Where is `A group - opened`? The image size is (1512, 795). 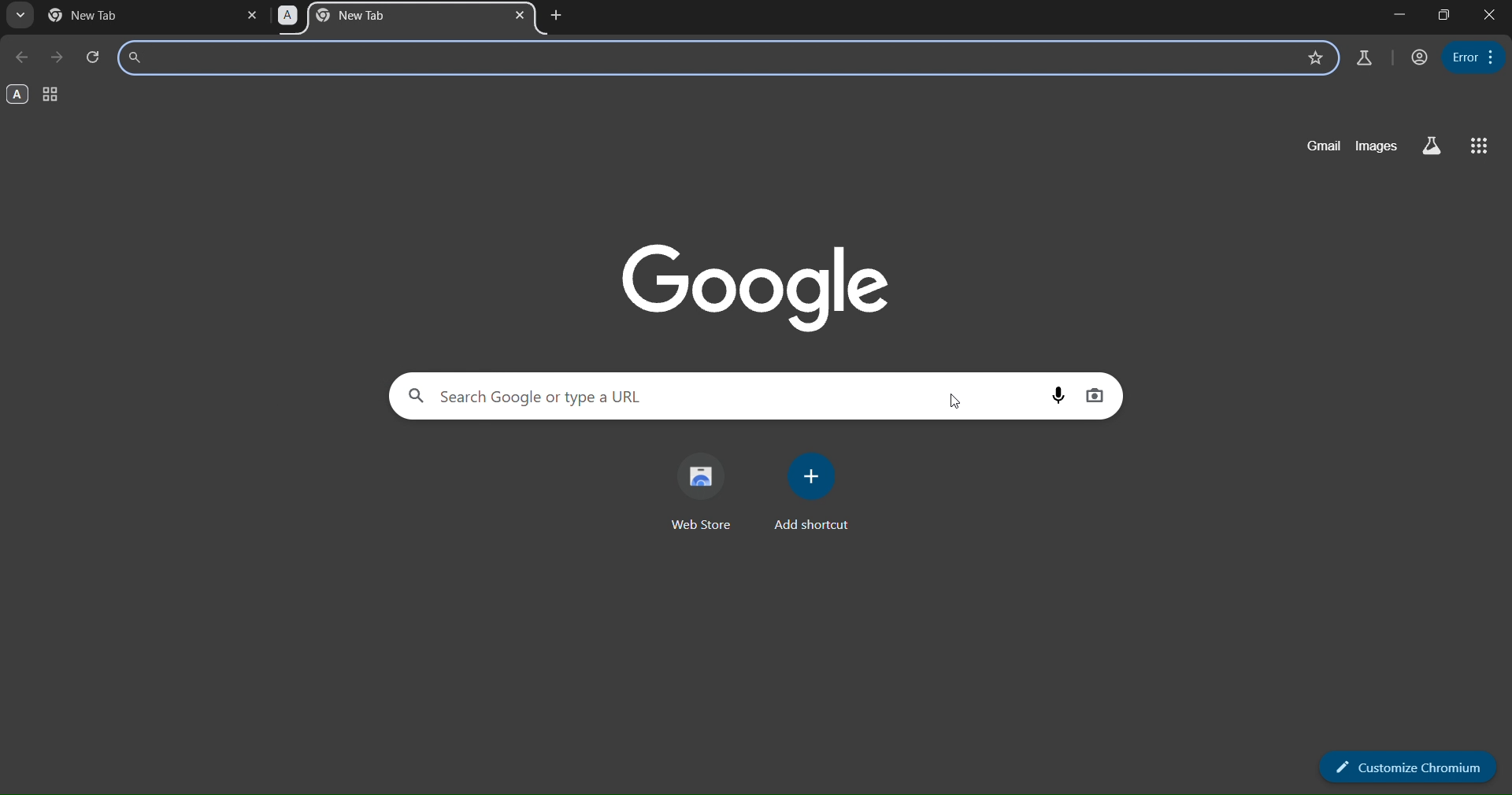
A group - opened is located at coordinates (18, 95).